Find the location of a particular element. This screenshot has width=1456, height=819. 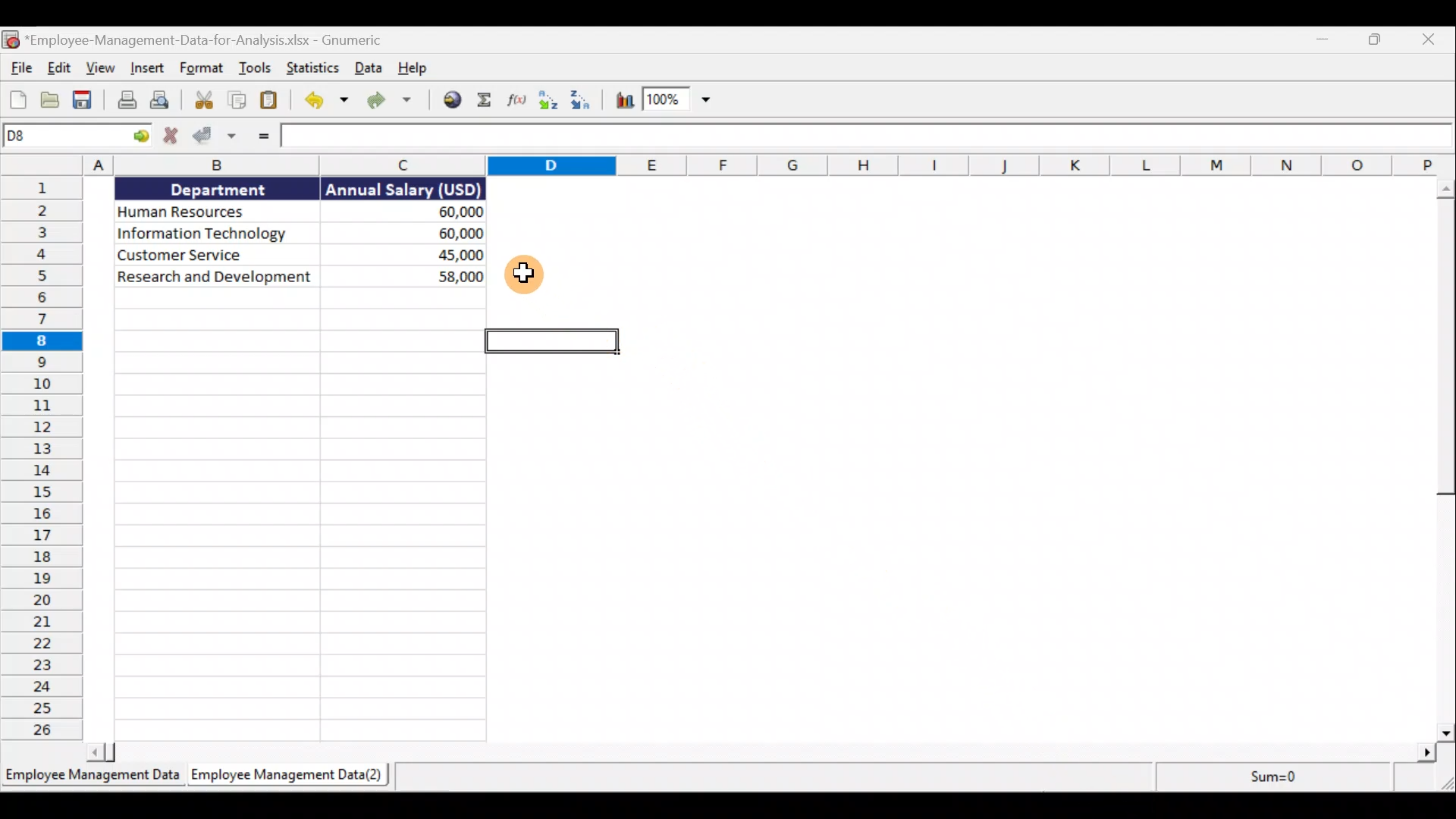

Copy selection is located at coordinates (234, 100).